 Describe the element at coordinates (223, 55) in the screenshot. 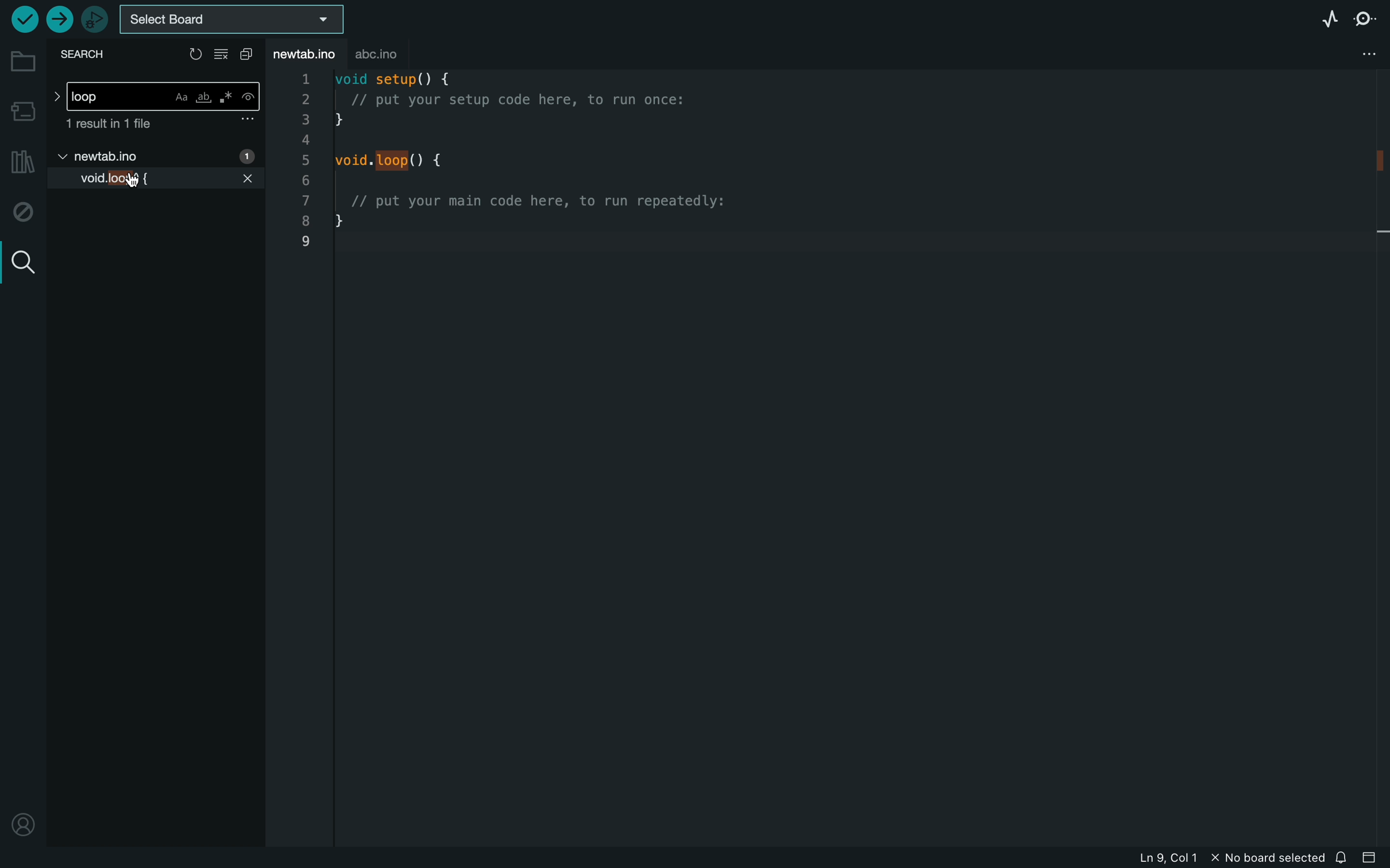

I see `clear` at that location.